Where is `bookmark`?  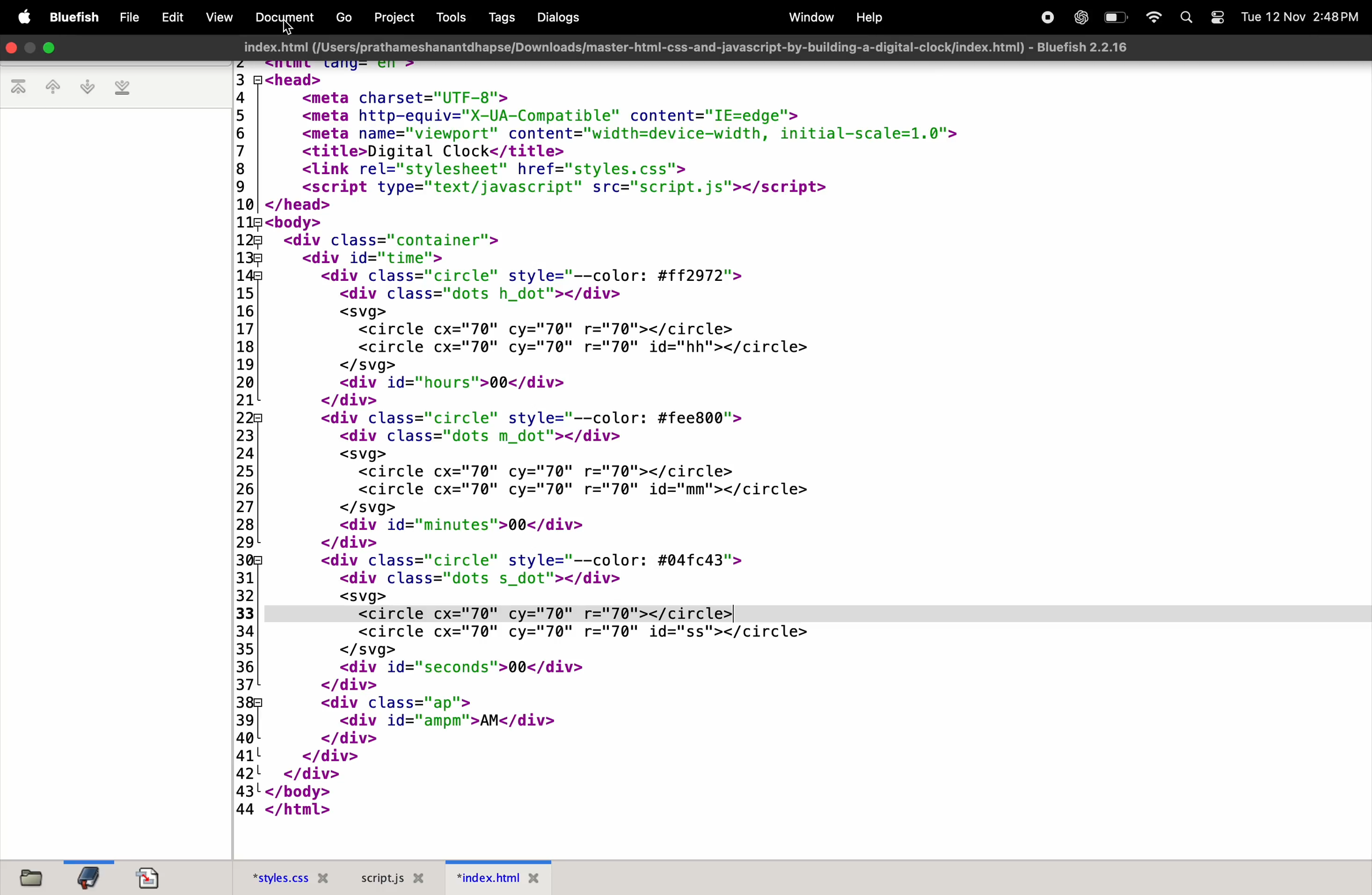 bookmark is located at coordinates (91, 877).